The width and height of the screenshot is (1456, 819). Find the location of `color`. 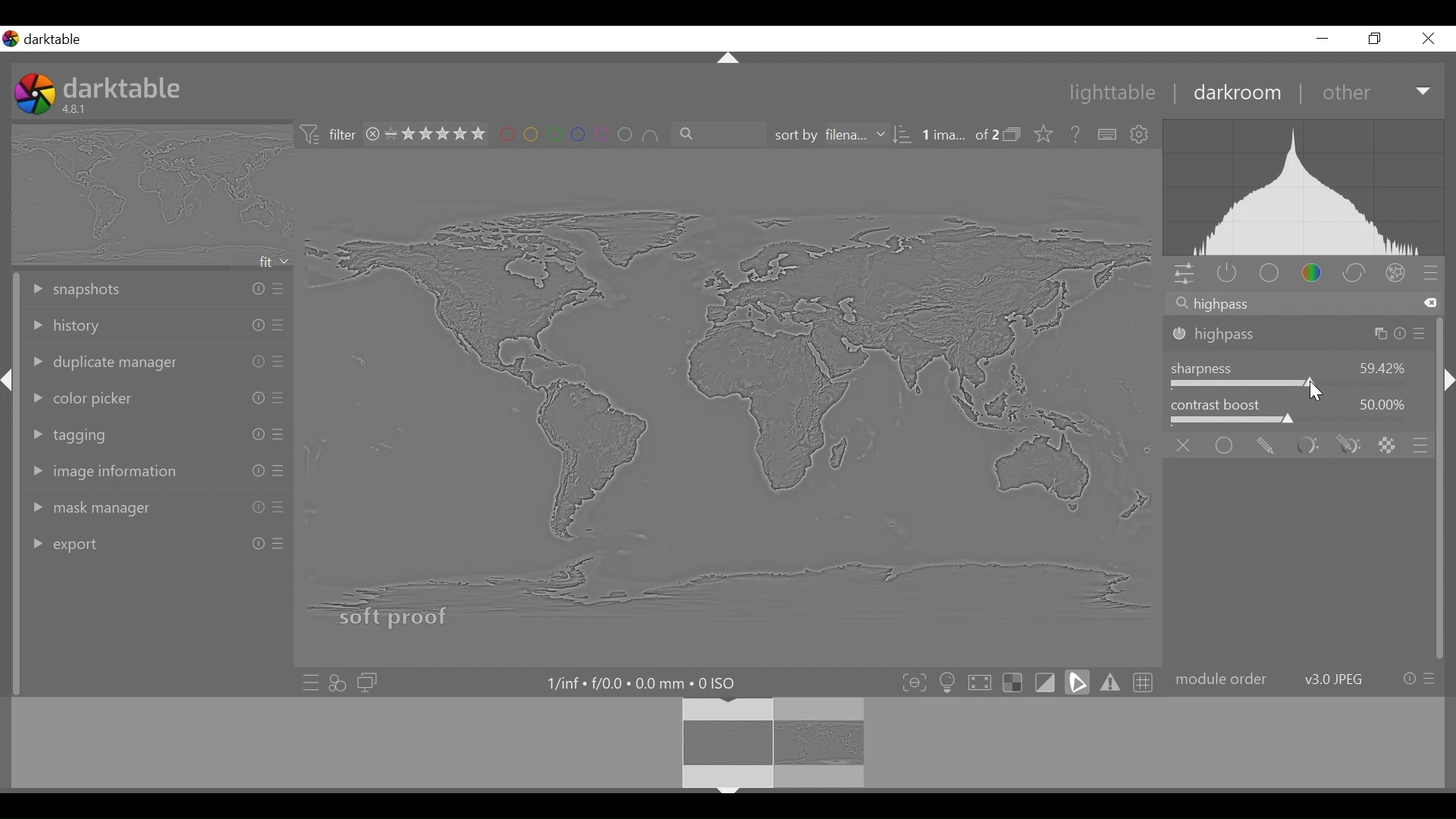

color is located at coordinates (1311, 272).